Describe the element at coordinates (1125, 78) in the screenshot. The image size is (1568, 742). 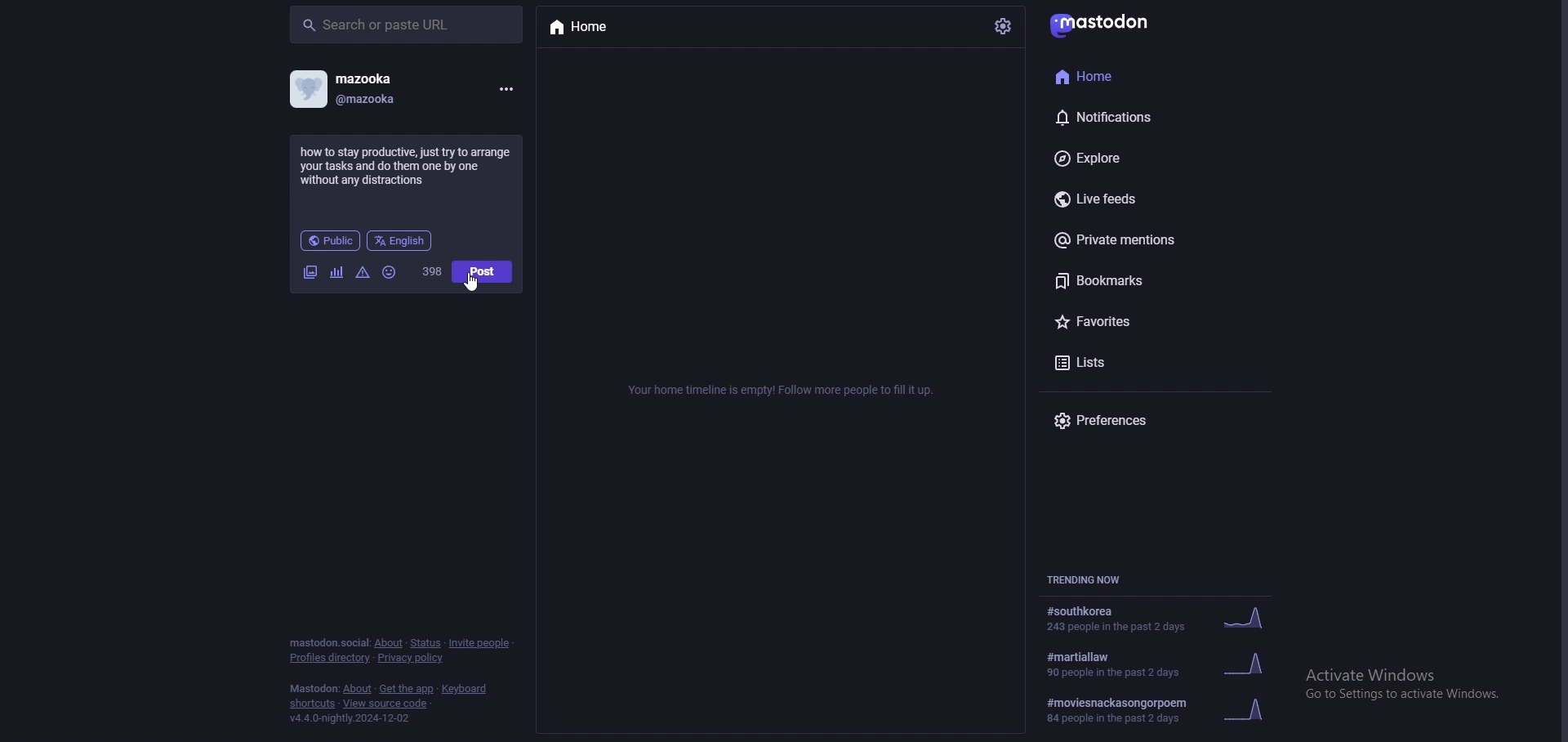
I see `home` at that location.